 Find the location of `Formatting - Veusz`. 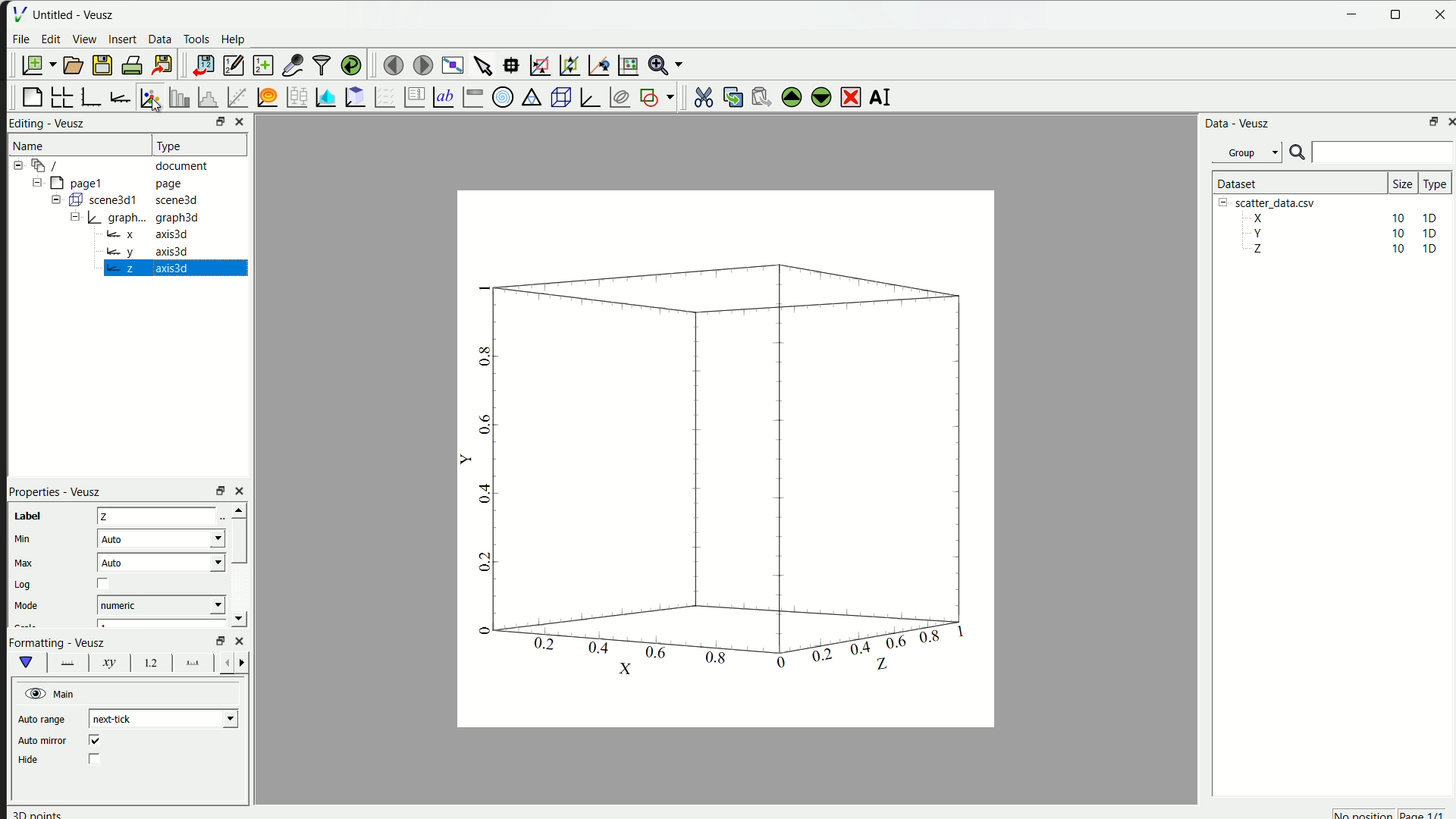

Formatting - Veusz is located at coordinates (64, 642).